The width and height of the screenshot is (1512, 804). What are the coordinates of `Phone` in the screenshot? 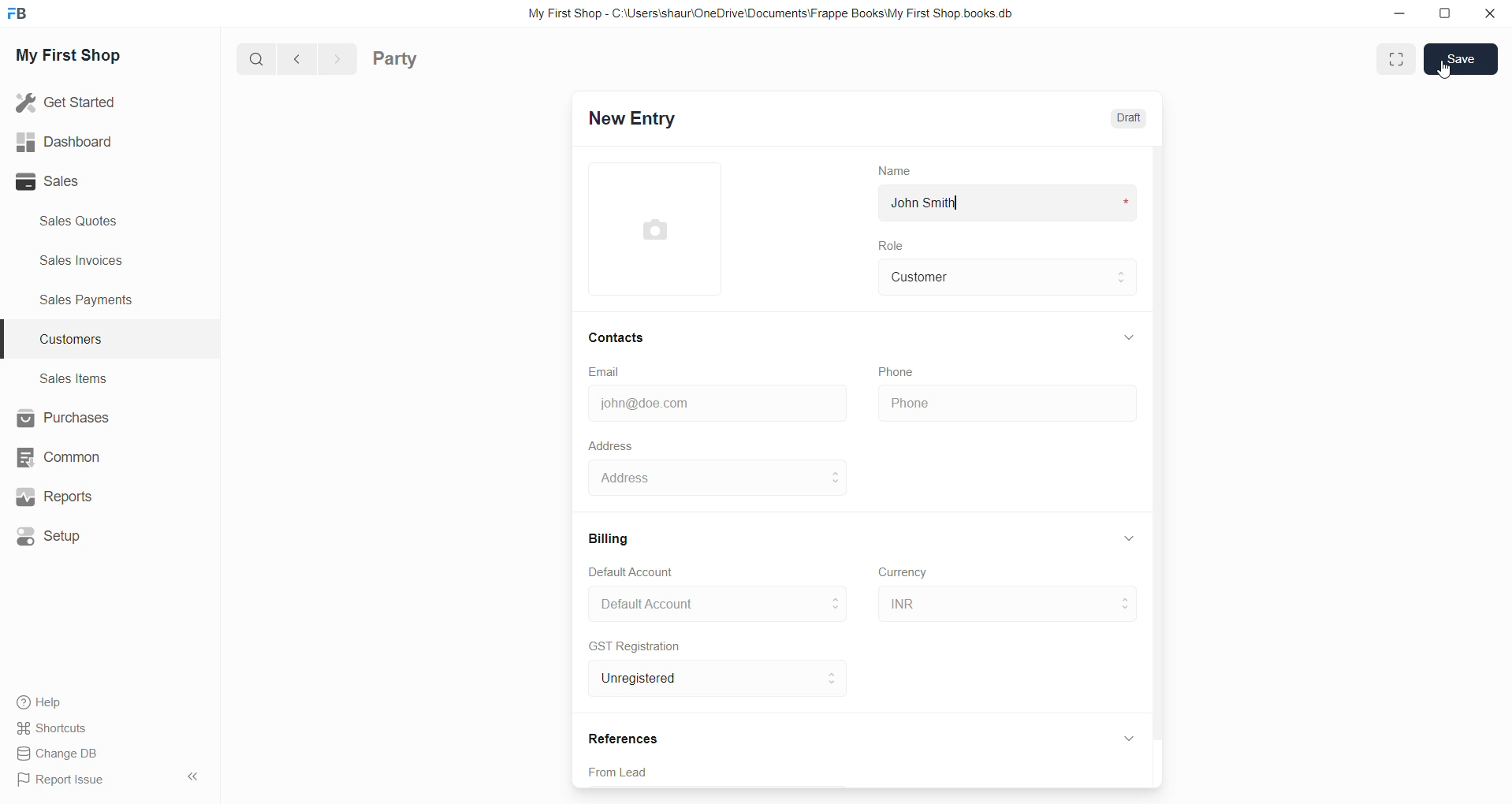 It's located at (900, 370).